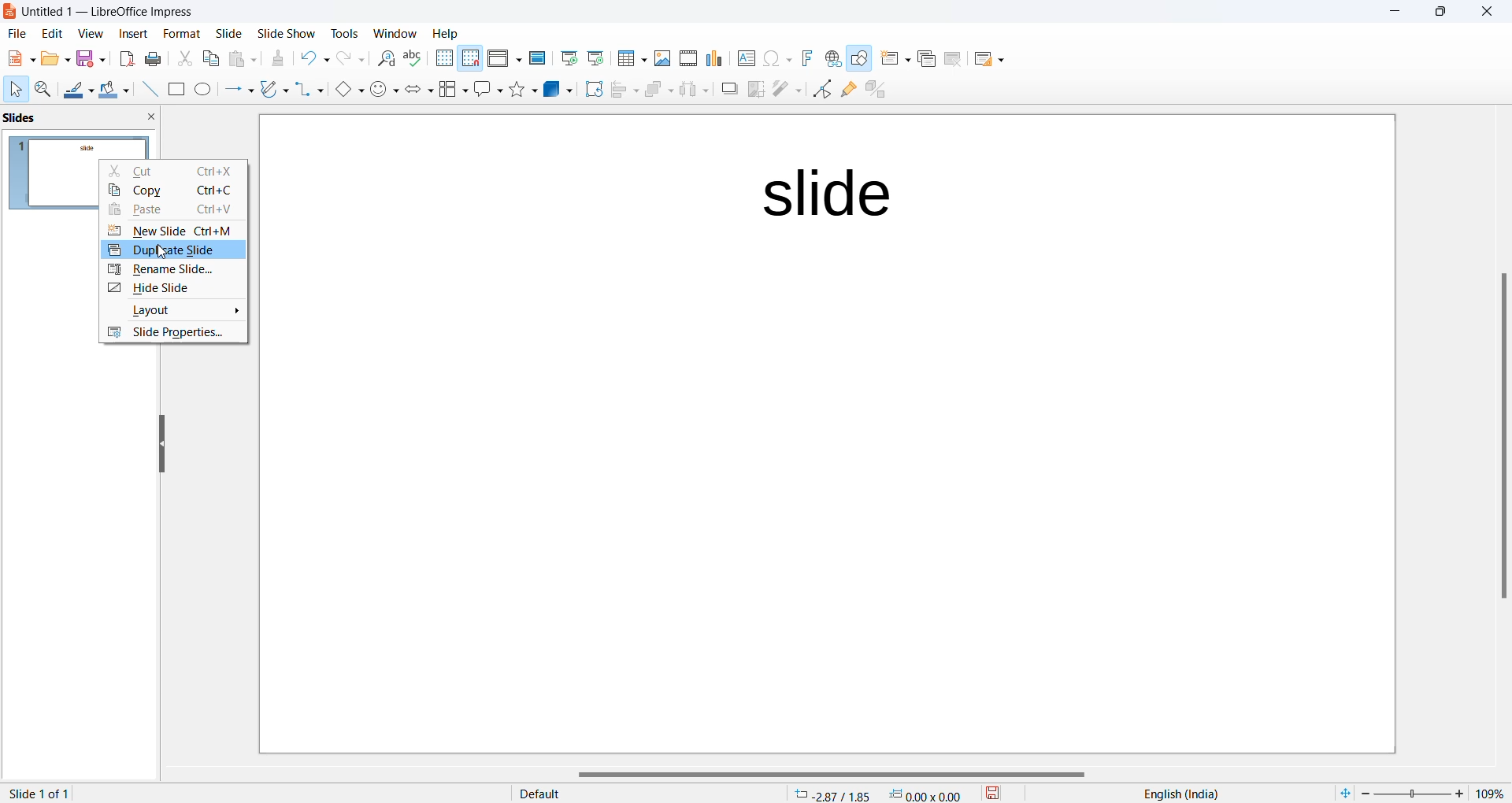  What do you see at coordinates (892, 60) in the screenshot?
I see `New slide` at bounding box center [892, 60].